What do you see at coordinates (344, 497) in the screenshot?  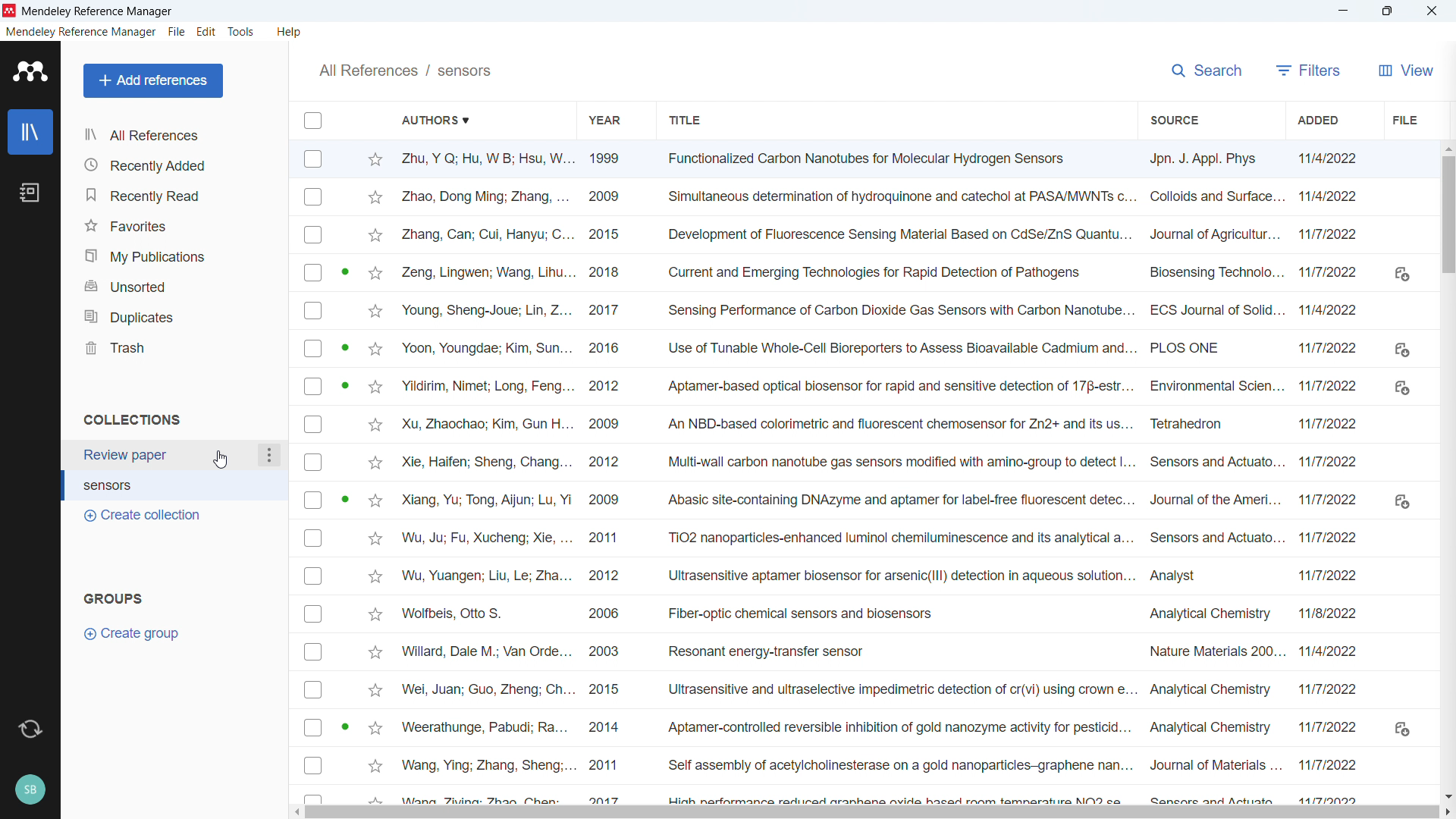 I see `PDF available` at bounding box center [344, 497].